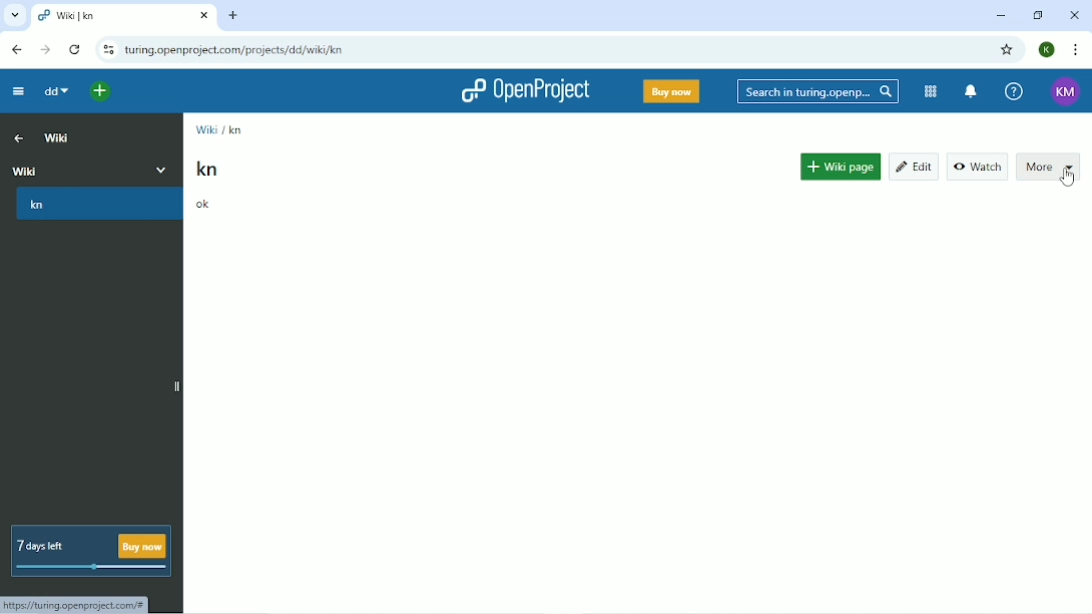 Image resolution: width=1092 pixels, height=614 pixels. What do you see at coordinates (1048, 165) in the screenshot?
I see `More` at bounding box center [1048, 165].